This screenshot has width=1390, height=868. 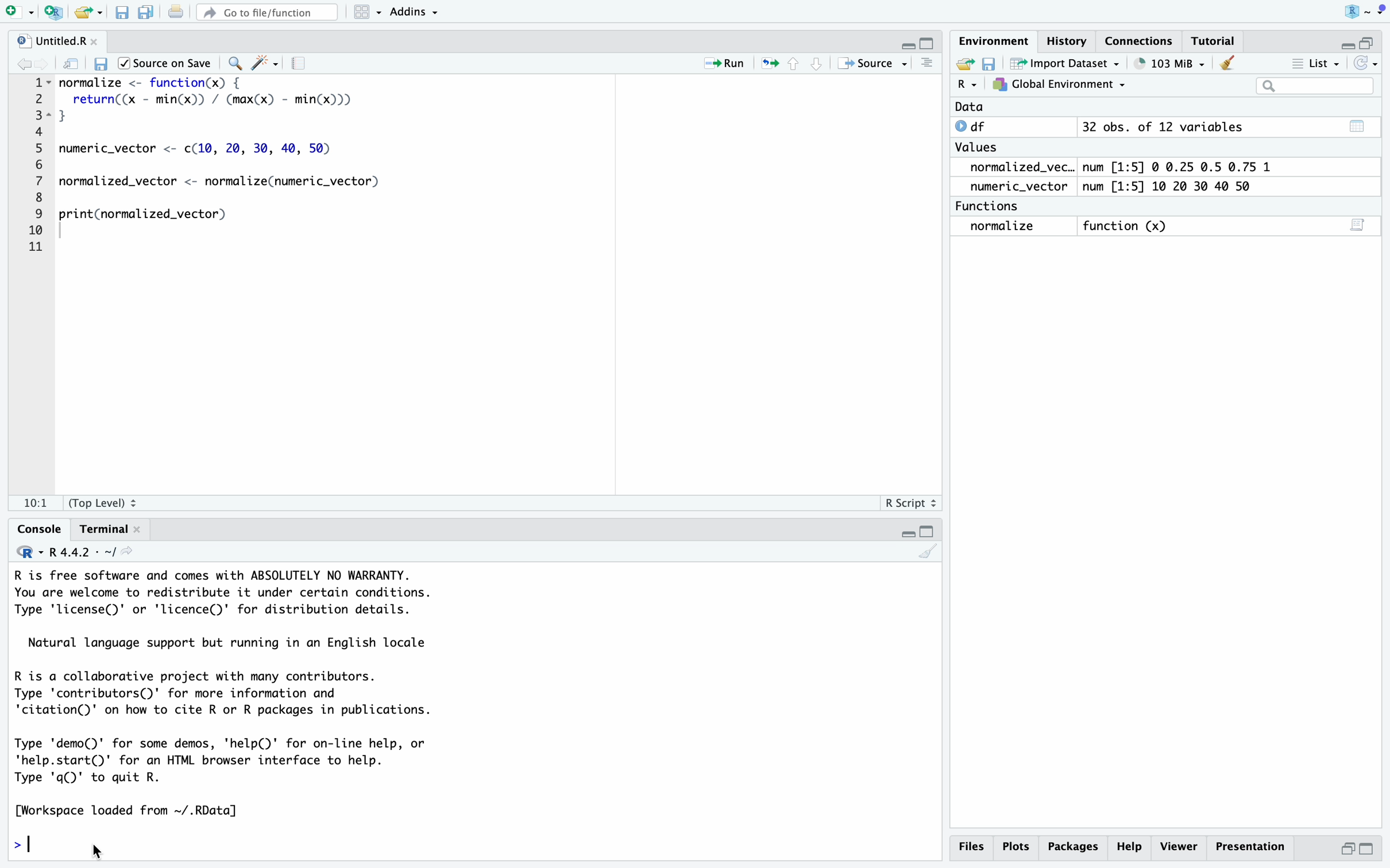 What do you see at coordinates (1249, 846) in the screenshot?
I see `Presentation` at bounding box center [1249, 846].